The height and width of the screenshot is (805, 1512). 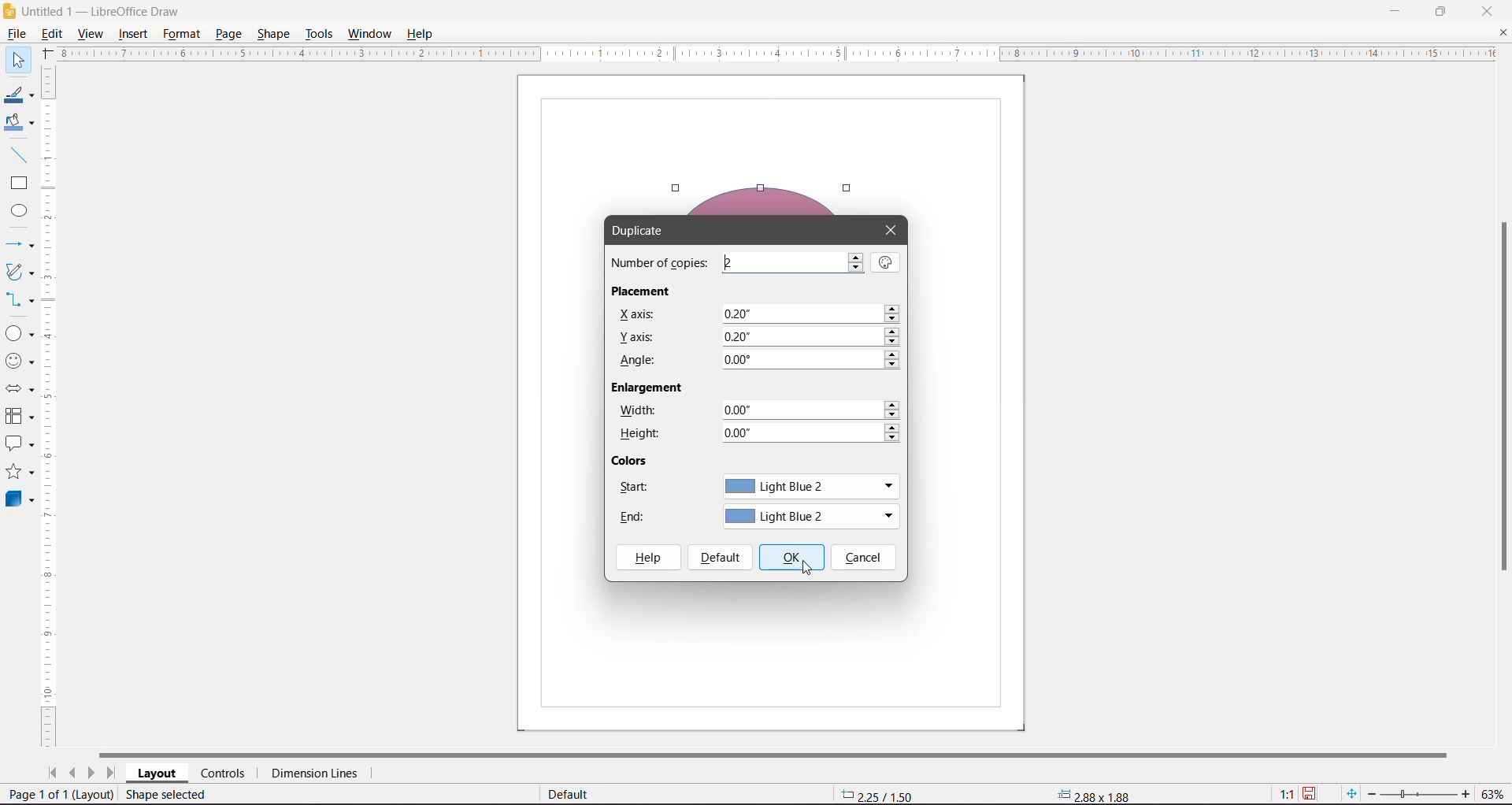 I want to click on End, so click(x=635, y=520).